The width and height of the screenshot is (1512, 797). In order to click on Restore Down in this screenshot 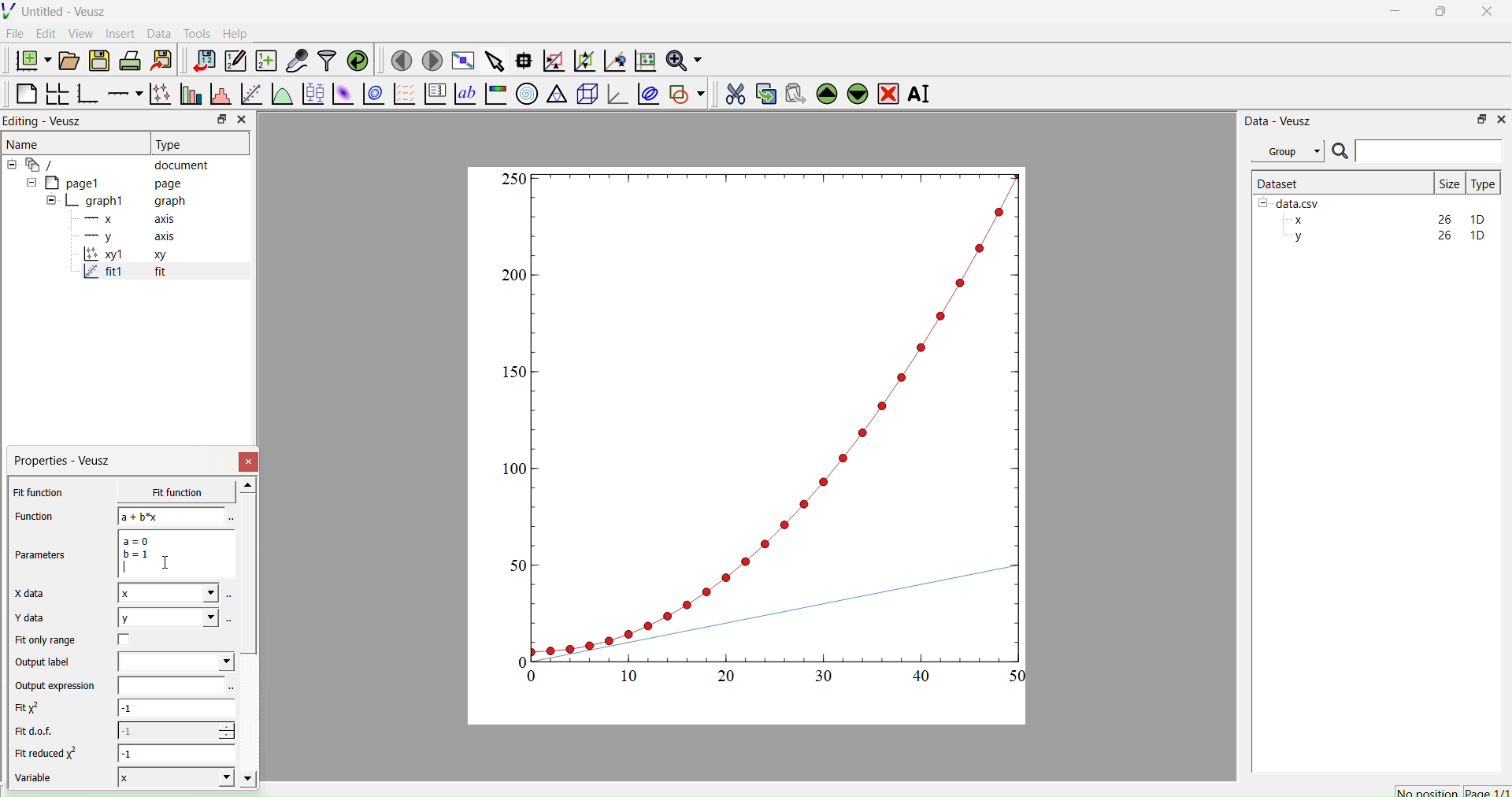, I will do `click(1437, 13)`.